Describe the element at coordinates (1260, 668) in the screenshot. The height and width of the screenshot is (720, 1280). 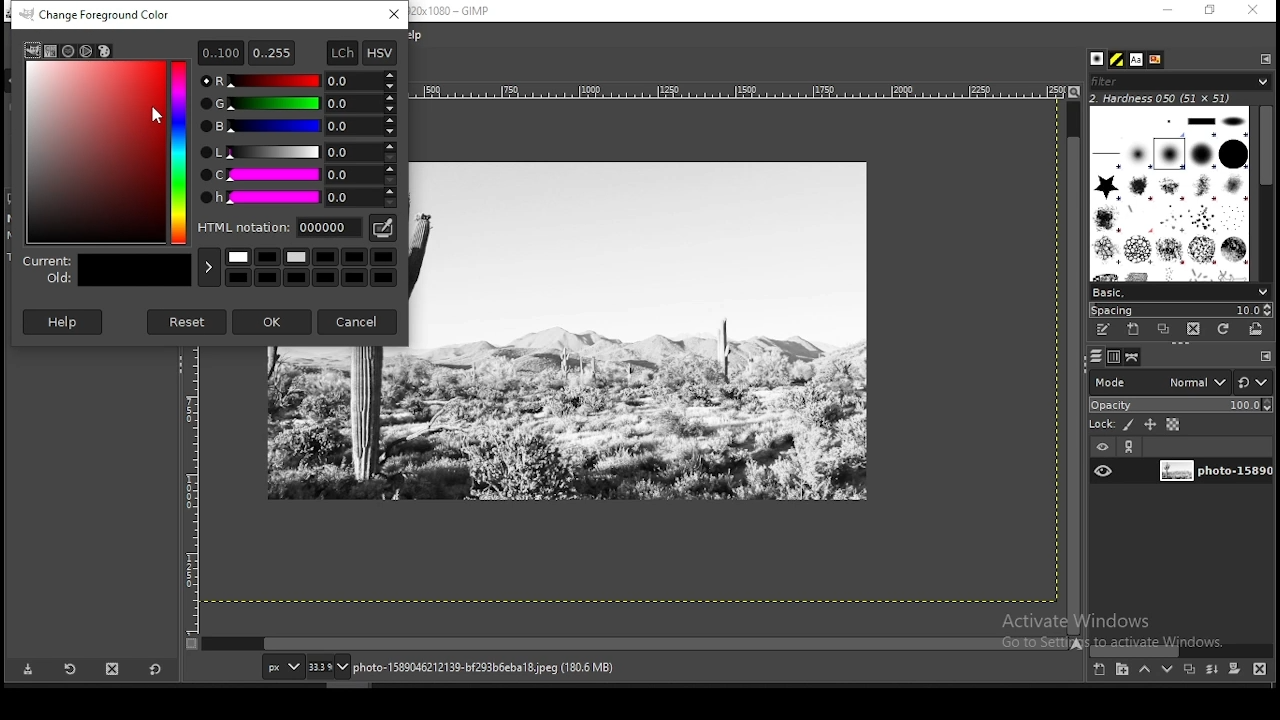
I see `delete this layer` at that location.